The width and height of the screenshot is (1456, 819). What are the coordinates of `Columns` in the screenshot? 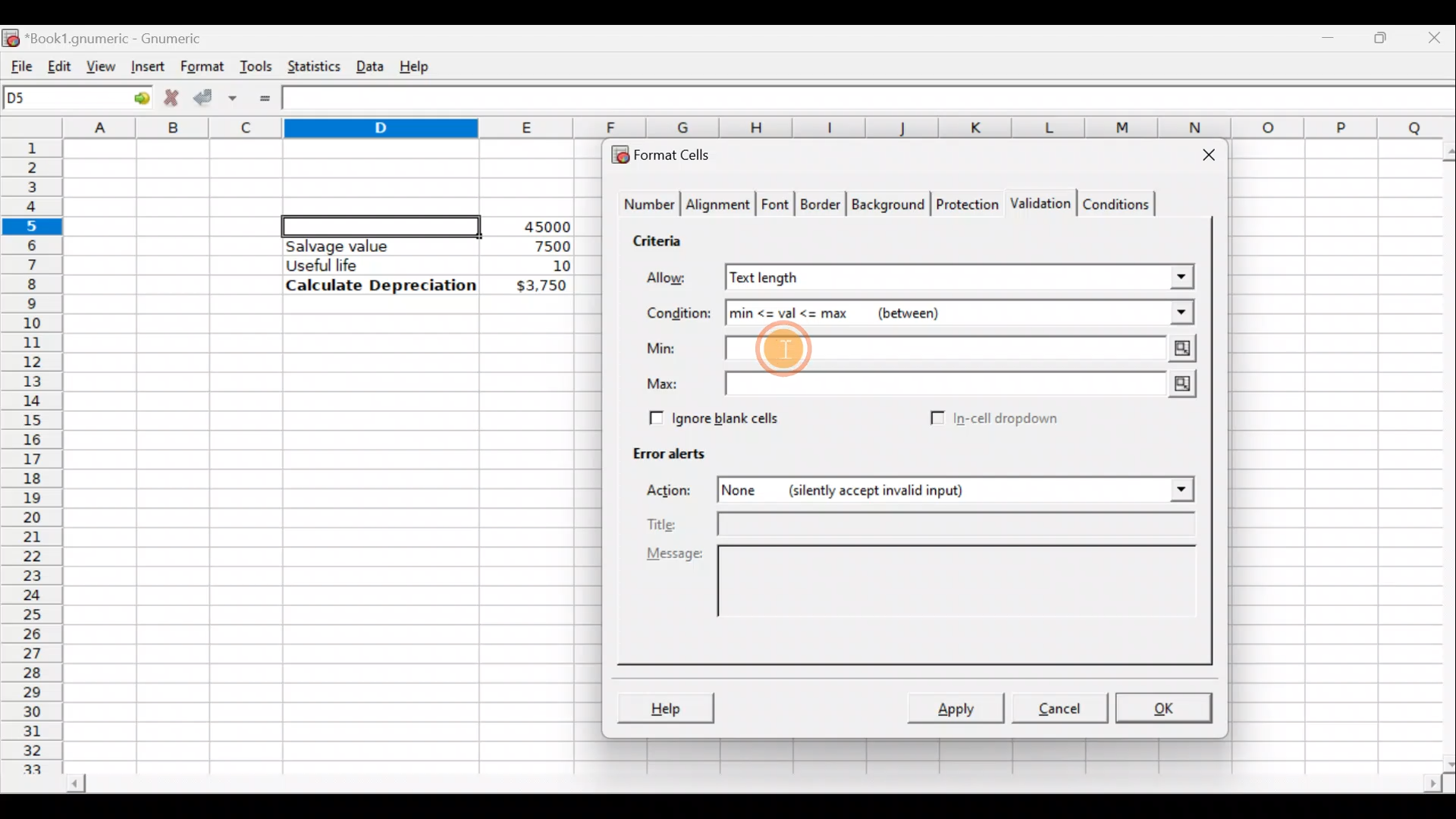 It's located at (761, 127).